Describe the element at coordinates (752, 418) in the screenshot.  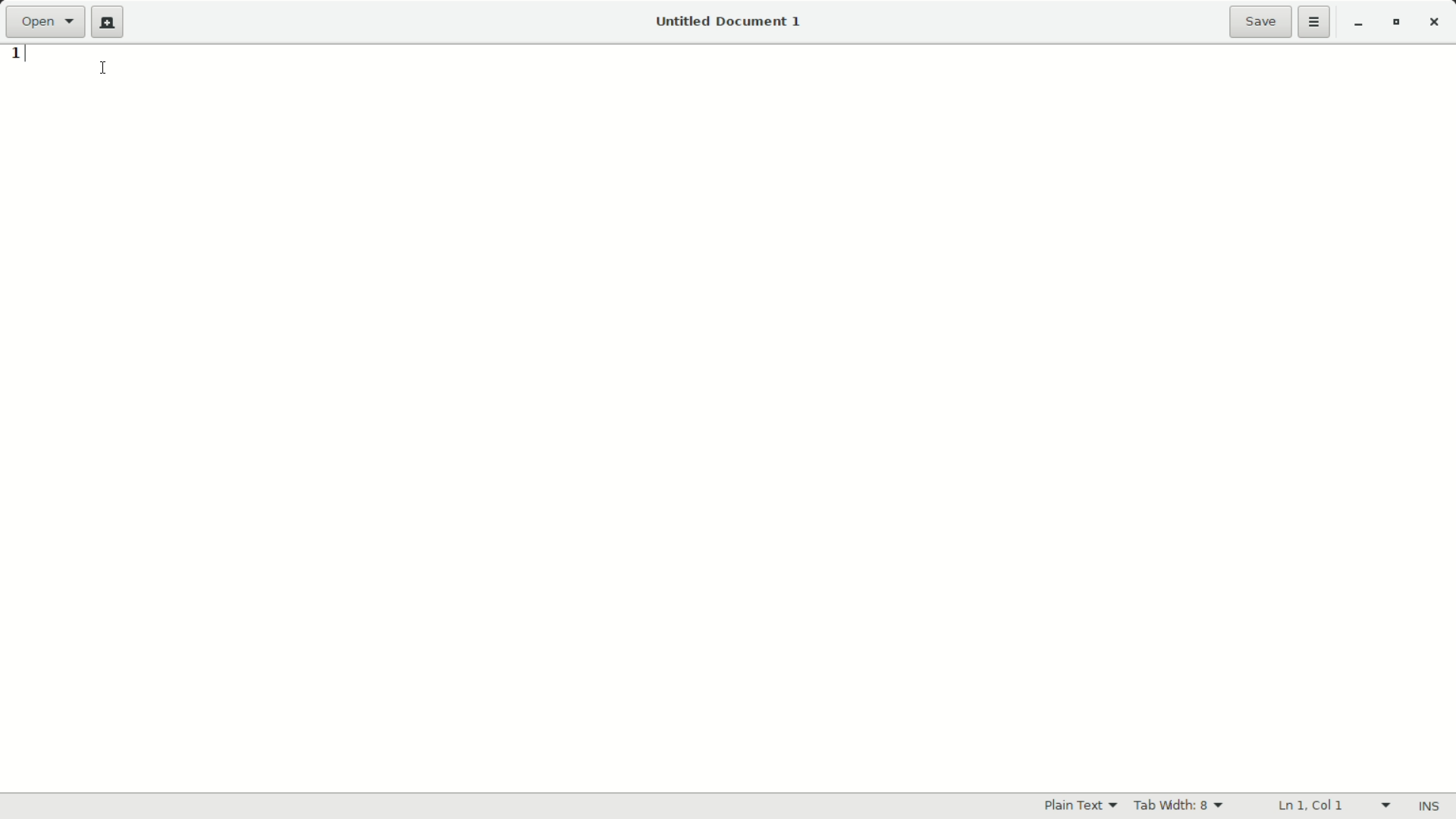
I see `Text Entry Pane` at that location.